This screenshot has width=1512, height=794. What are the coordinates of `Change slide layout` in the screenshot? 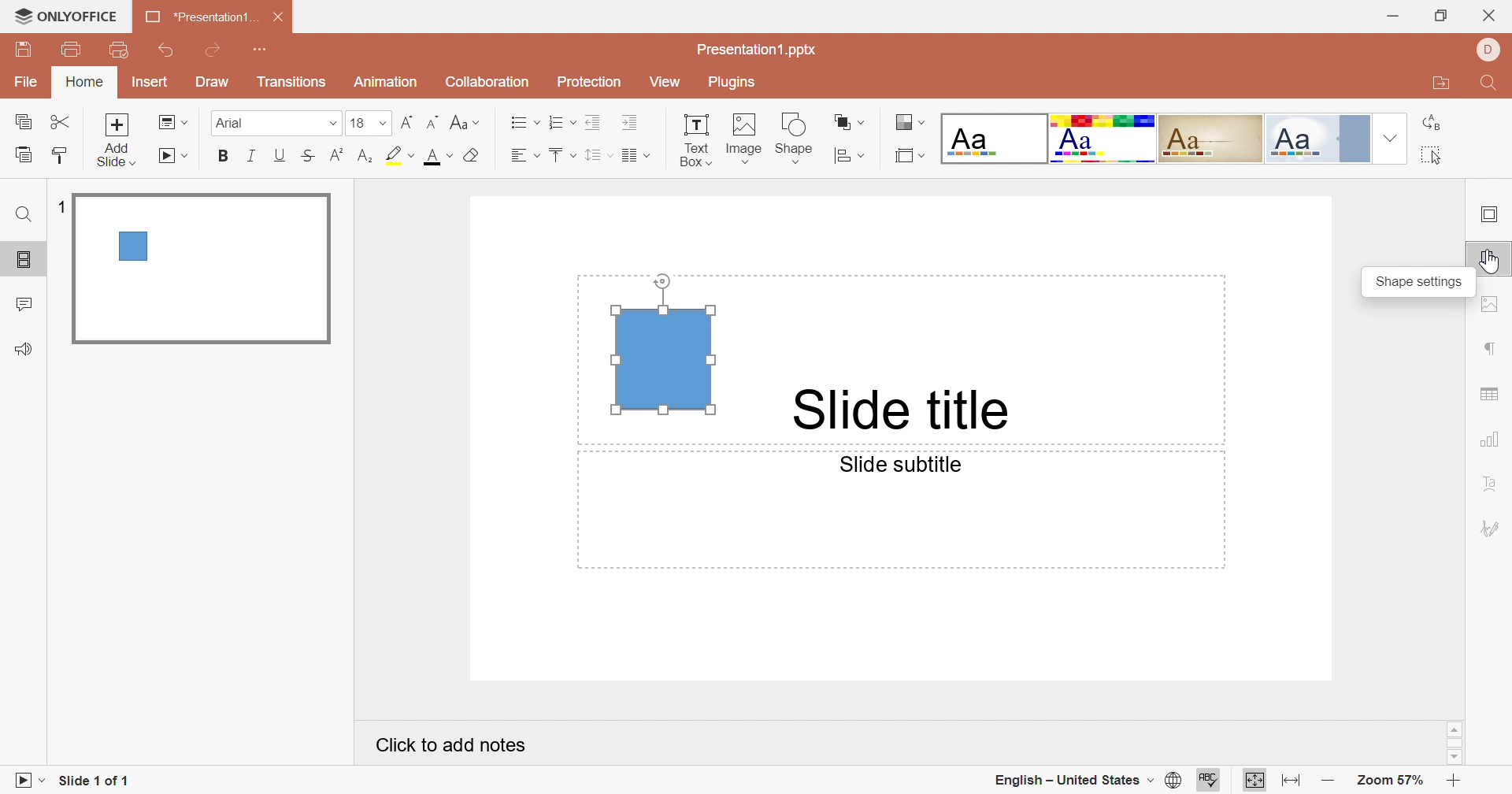 It's located at (172, 123).